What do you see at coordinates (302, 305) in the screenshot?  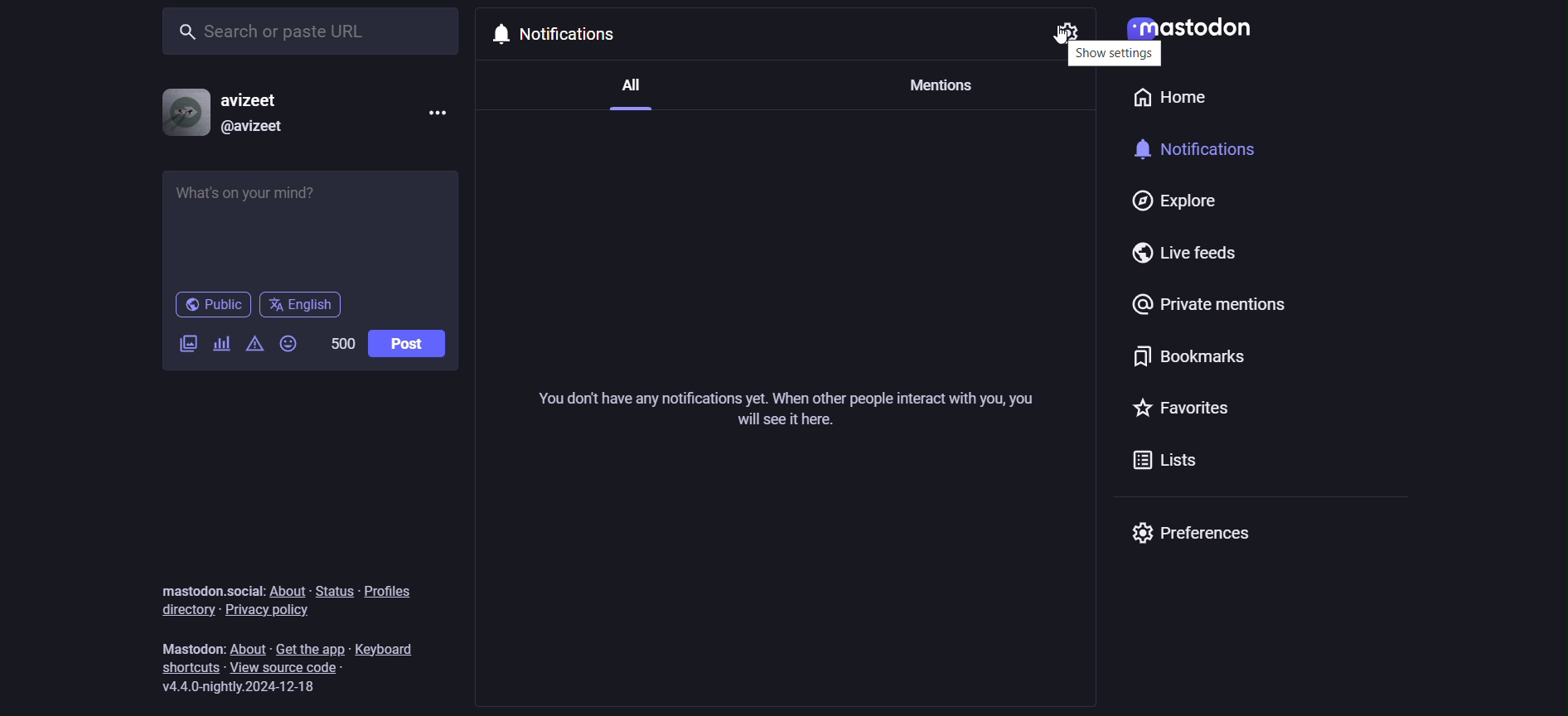 I see `english` at bounding box center [302, 305].